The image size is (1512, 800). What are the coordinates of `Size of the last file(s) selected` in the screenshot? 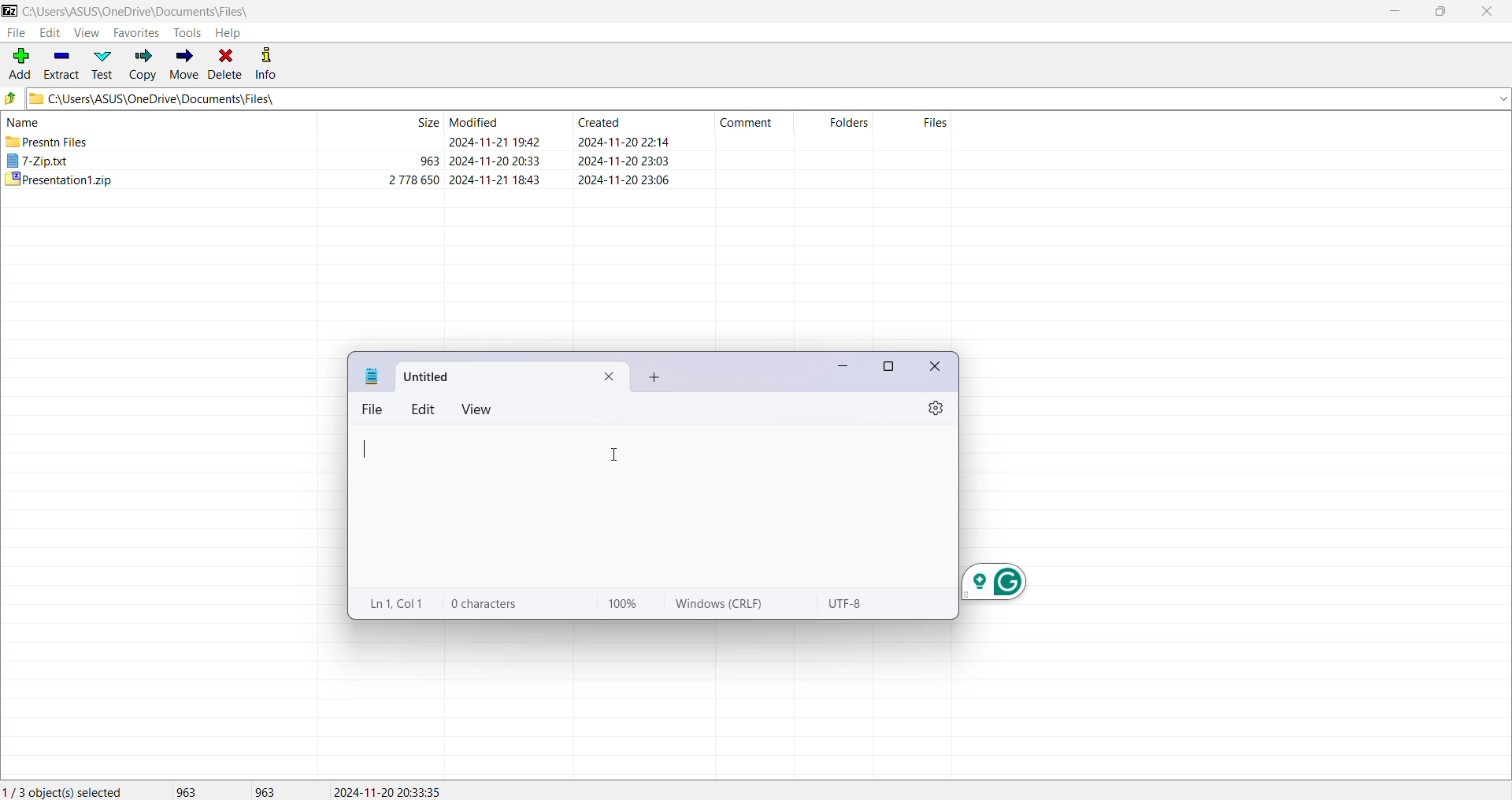 It's located at (266, 791).